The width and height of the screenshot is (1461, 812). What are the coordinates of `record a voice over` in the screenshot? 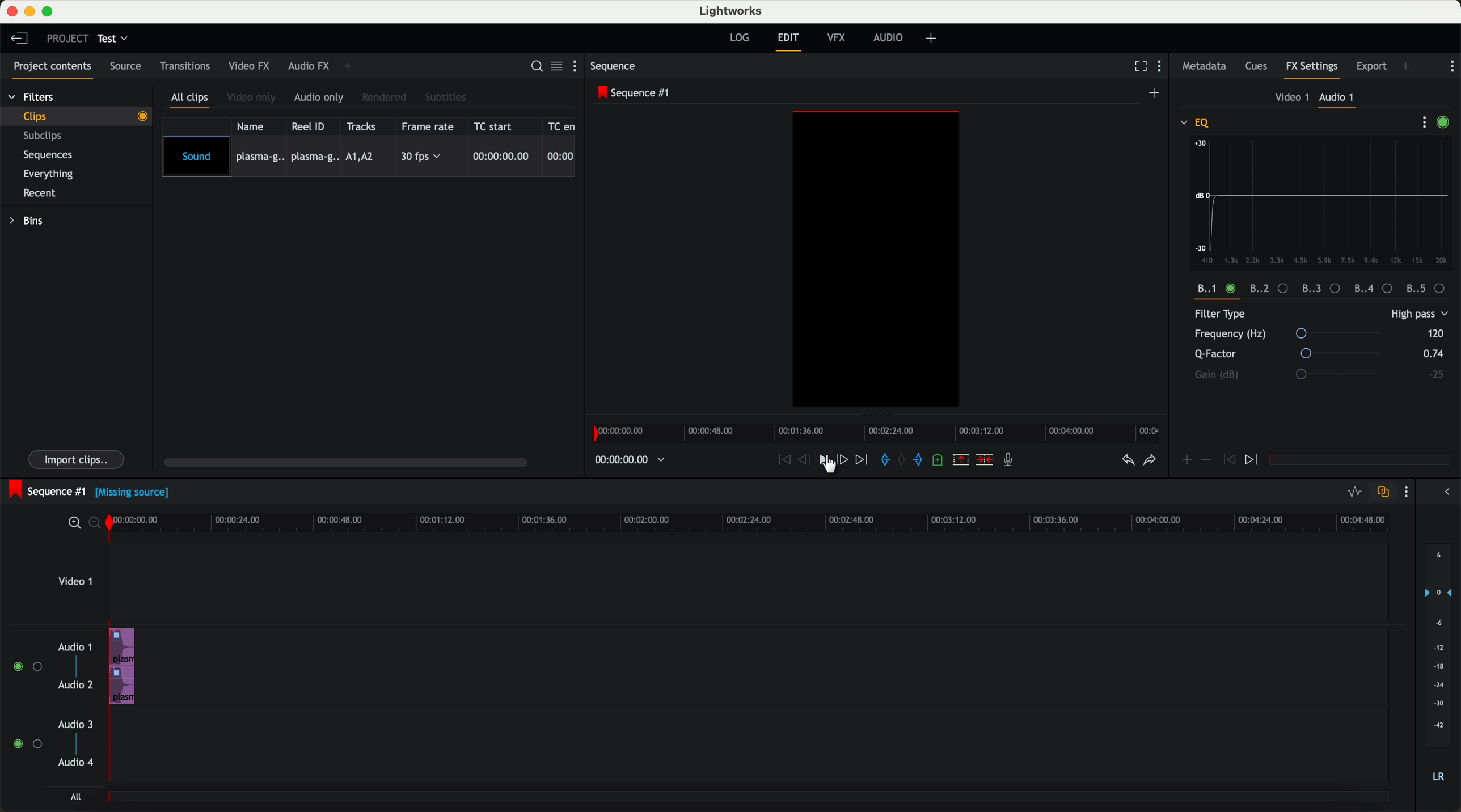 It's located at (1011, 462).